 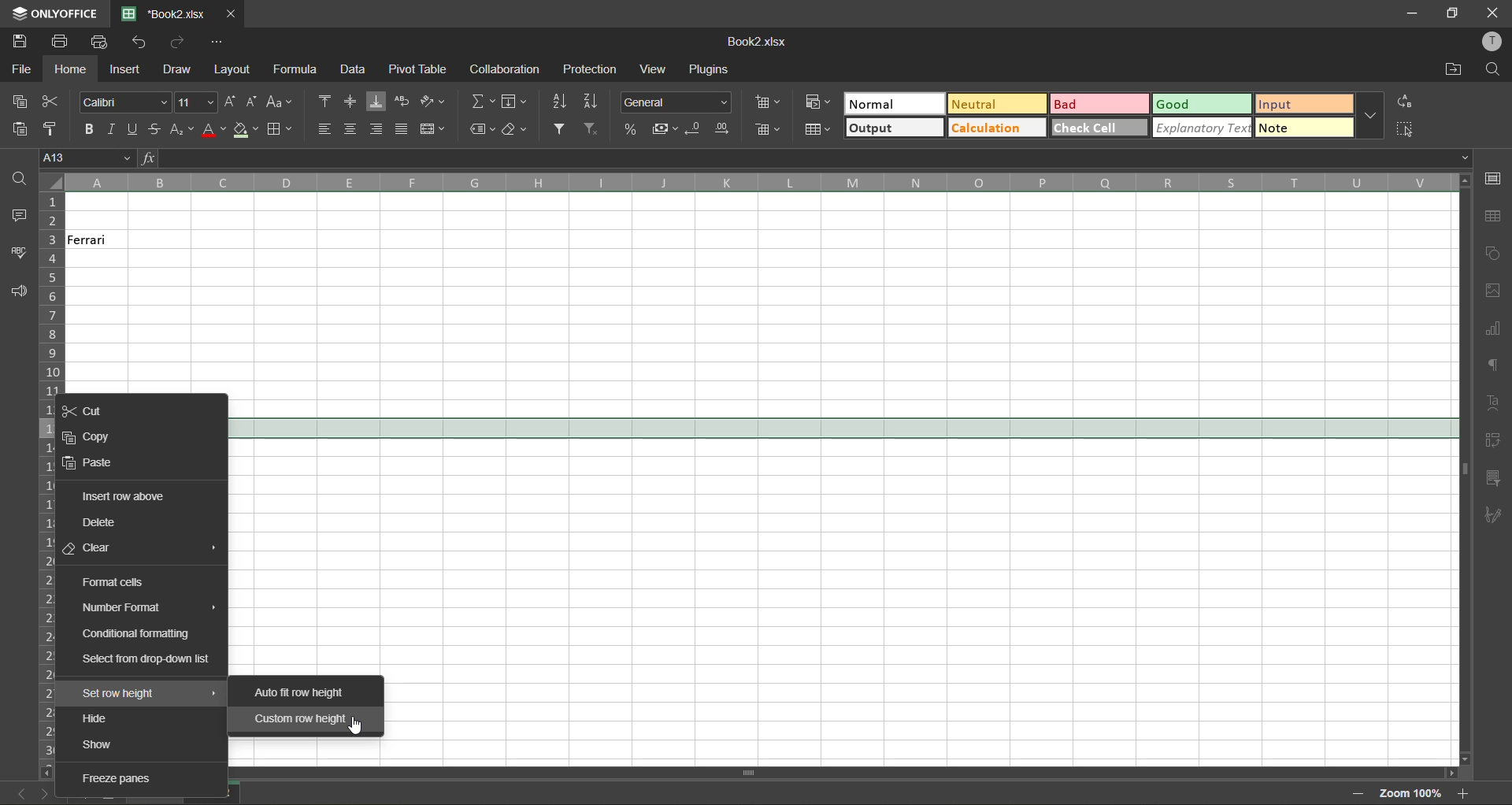 I want to click on good, so click(x=1200, y=105).